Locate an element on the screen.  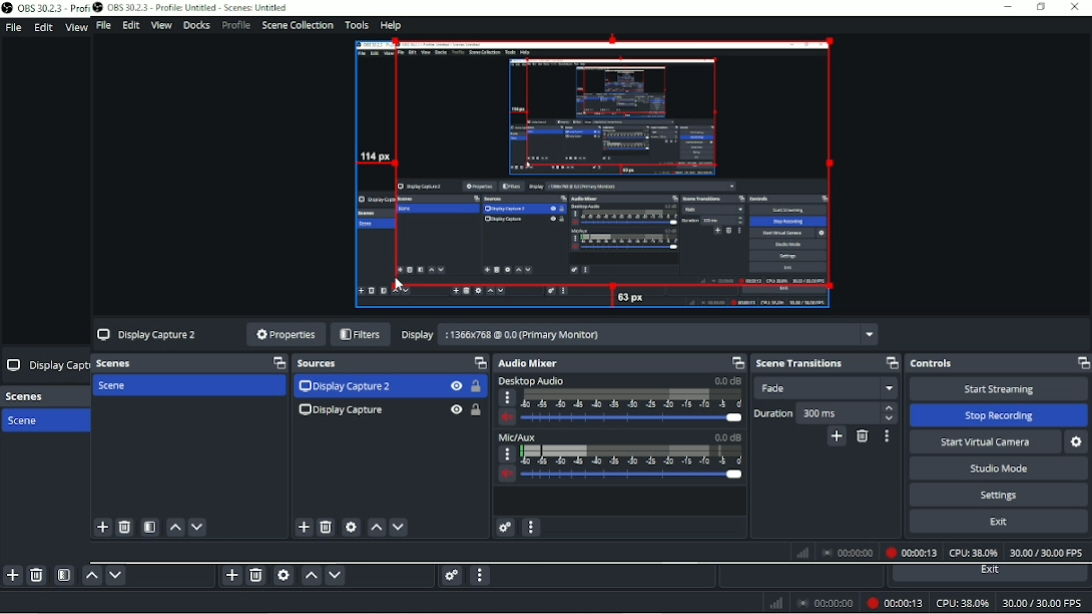
Filters is located at coordinates (356, 334).